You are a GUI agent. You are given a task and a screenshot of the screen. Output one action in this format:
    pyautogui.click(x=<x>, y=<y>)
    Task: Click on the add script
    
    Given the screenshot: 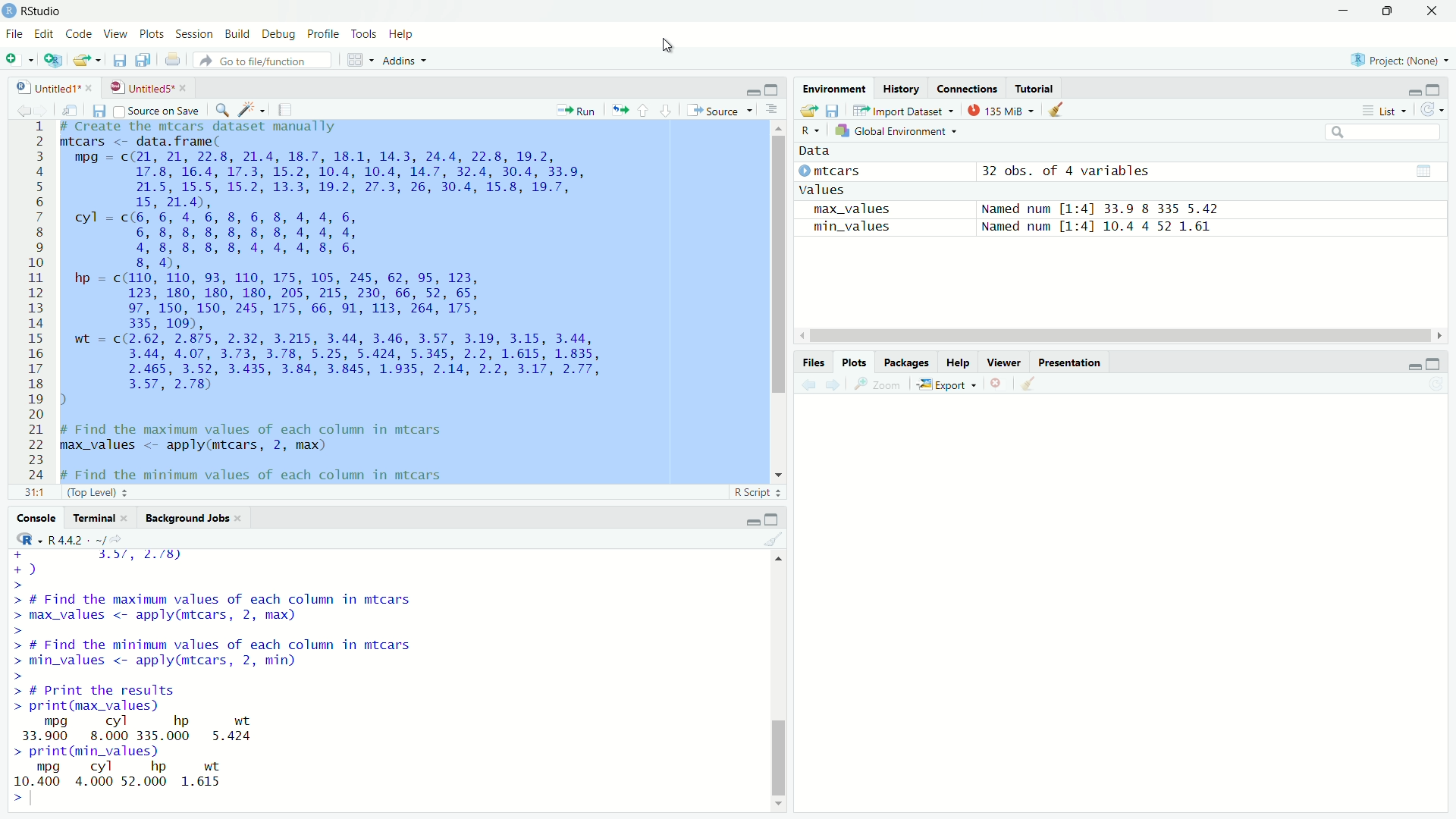 What is the action you would take?
    pyautogui.click(x=54, y=61)
    